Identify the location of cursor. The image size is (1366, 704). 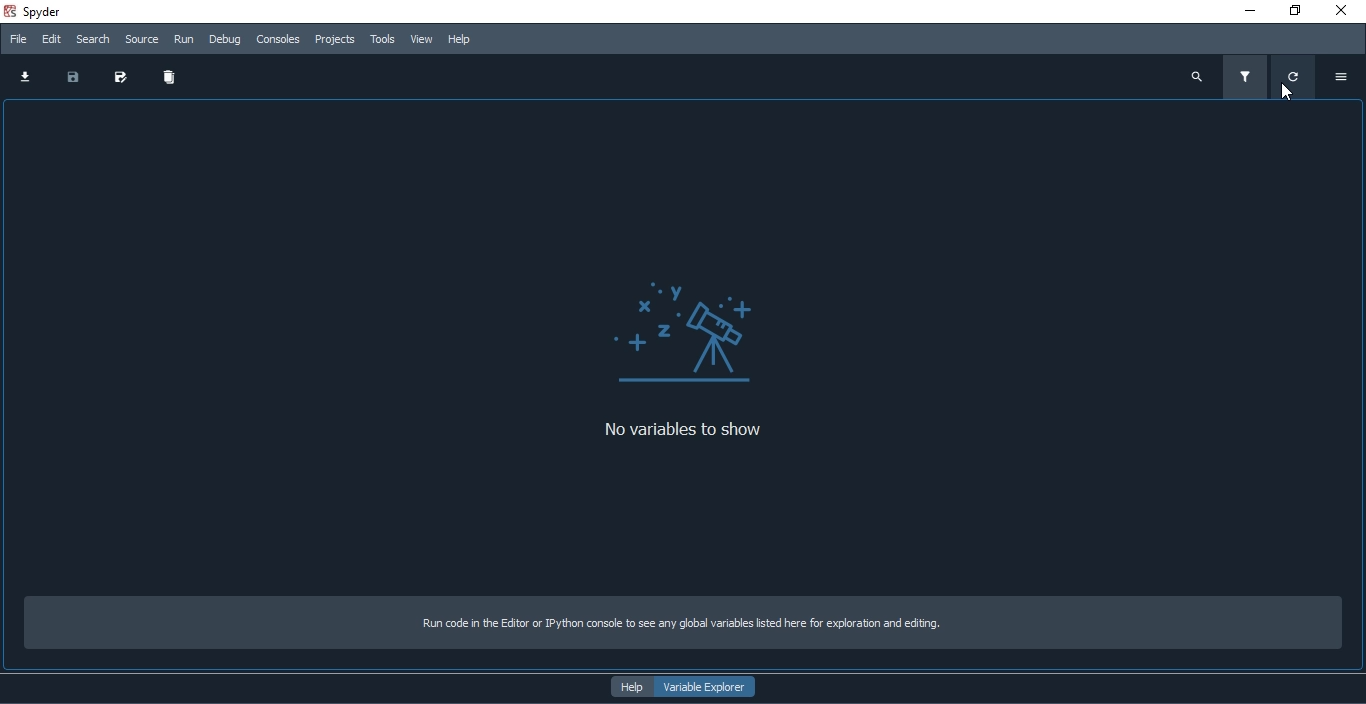
(1296, 90).